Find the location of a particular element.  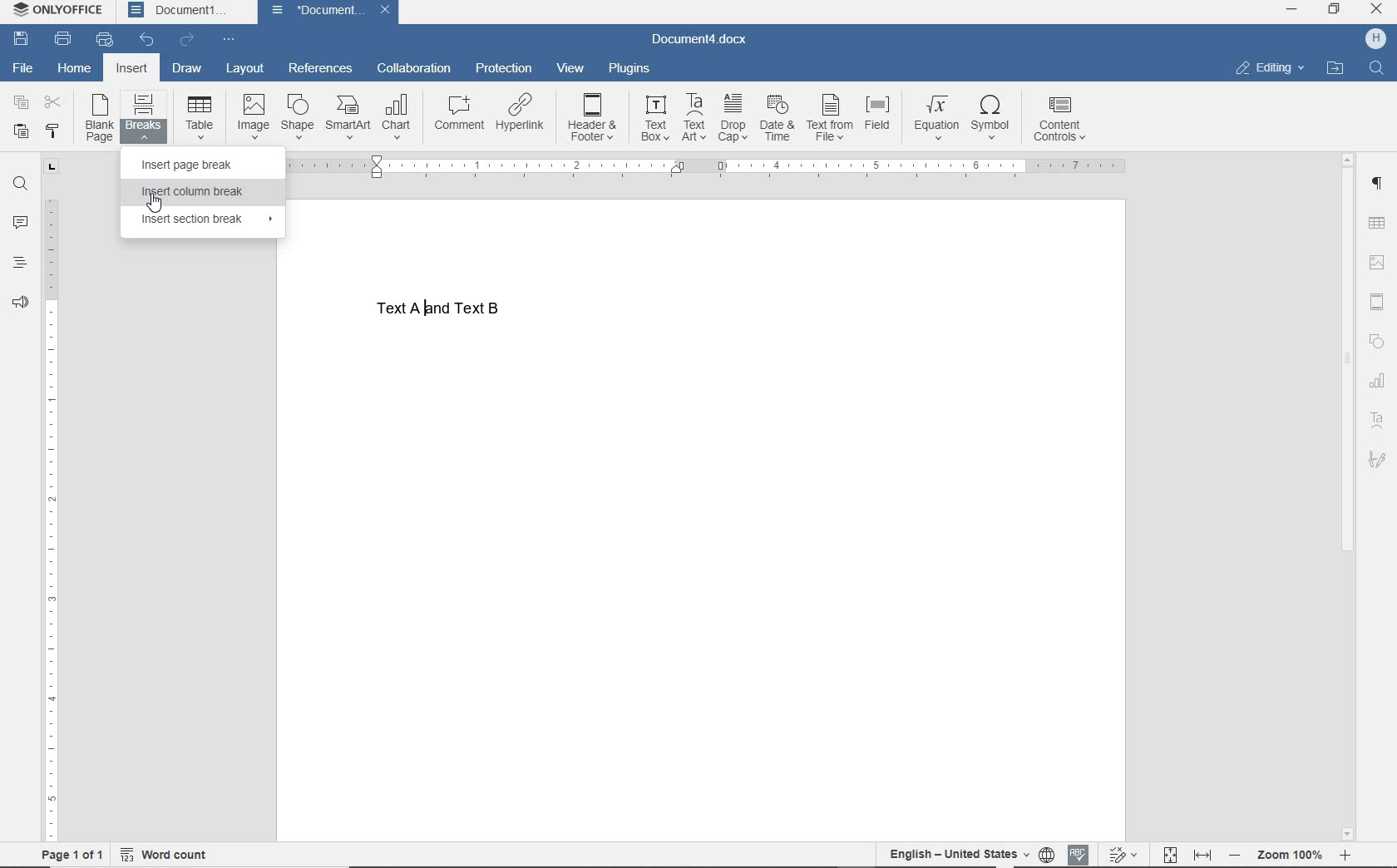

close document is located at coordinates (389, 12).